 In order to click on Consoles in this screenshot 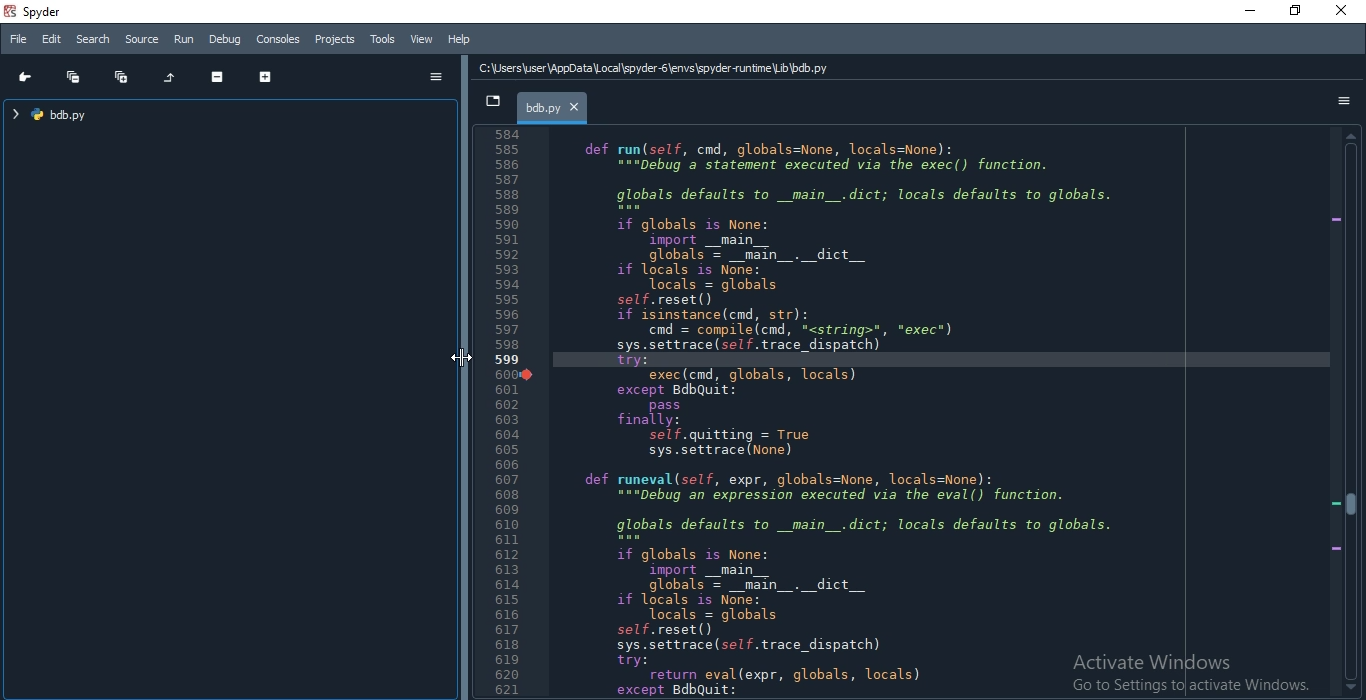, I will do `click(279, 38)`.